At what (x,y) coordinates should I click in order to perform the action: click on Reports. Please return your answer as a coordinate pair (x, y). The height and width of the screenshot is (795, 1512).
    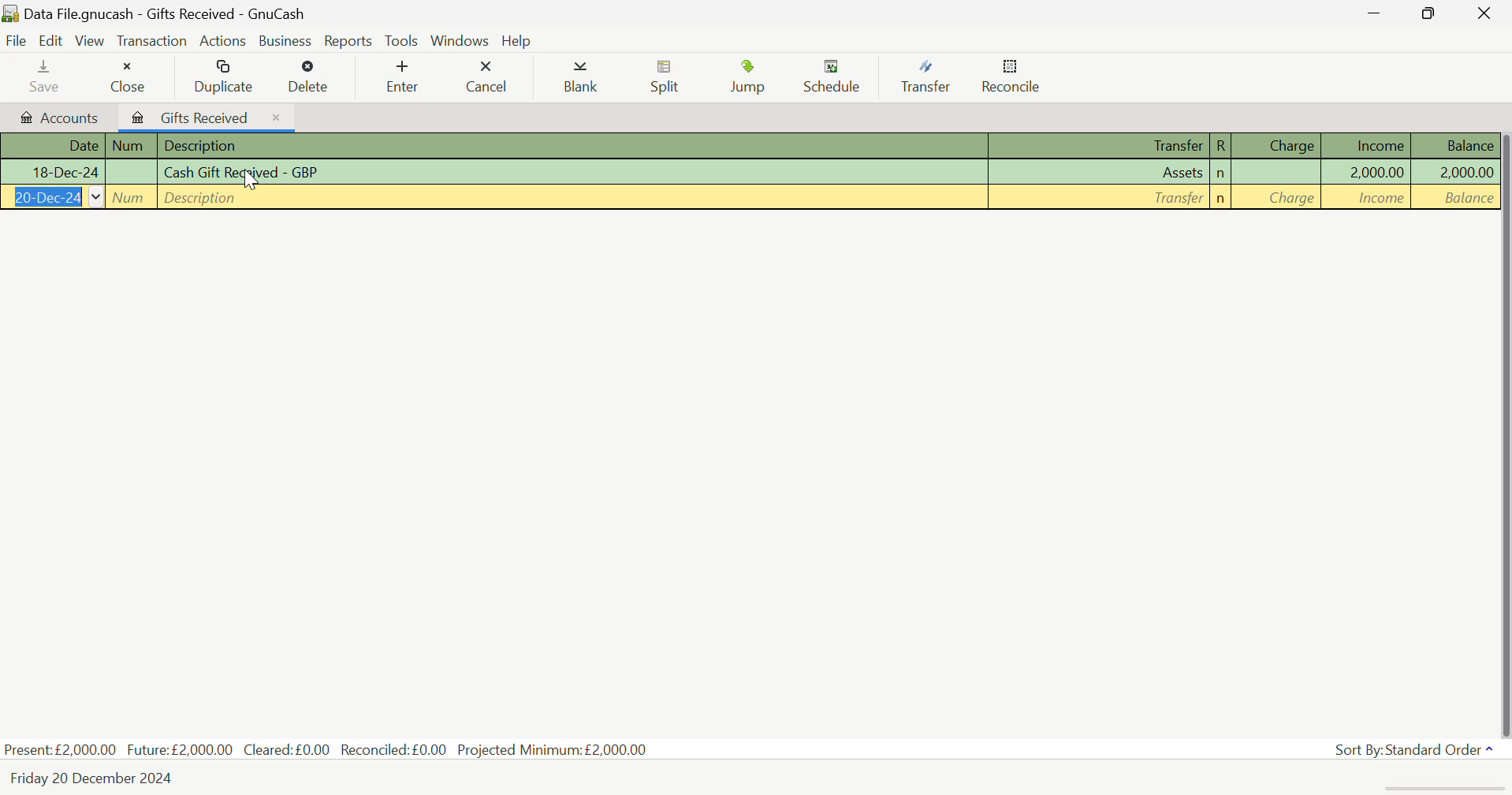
    Looking at the image, I should click on (345, 39).